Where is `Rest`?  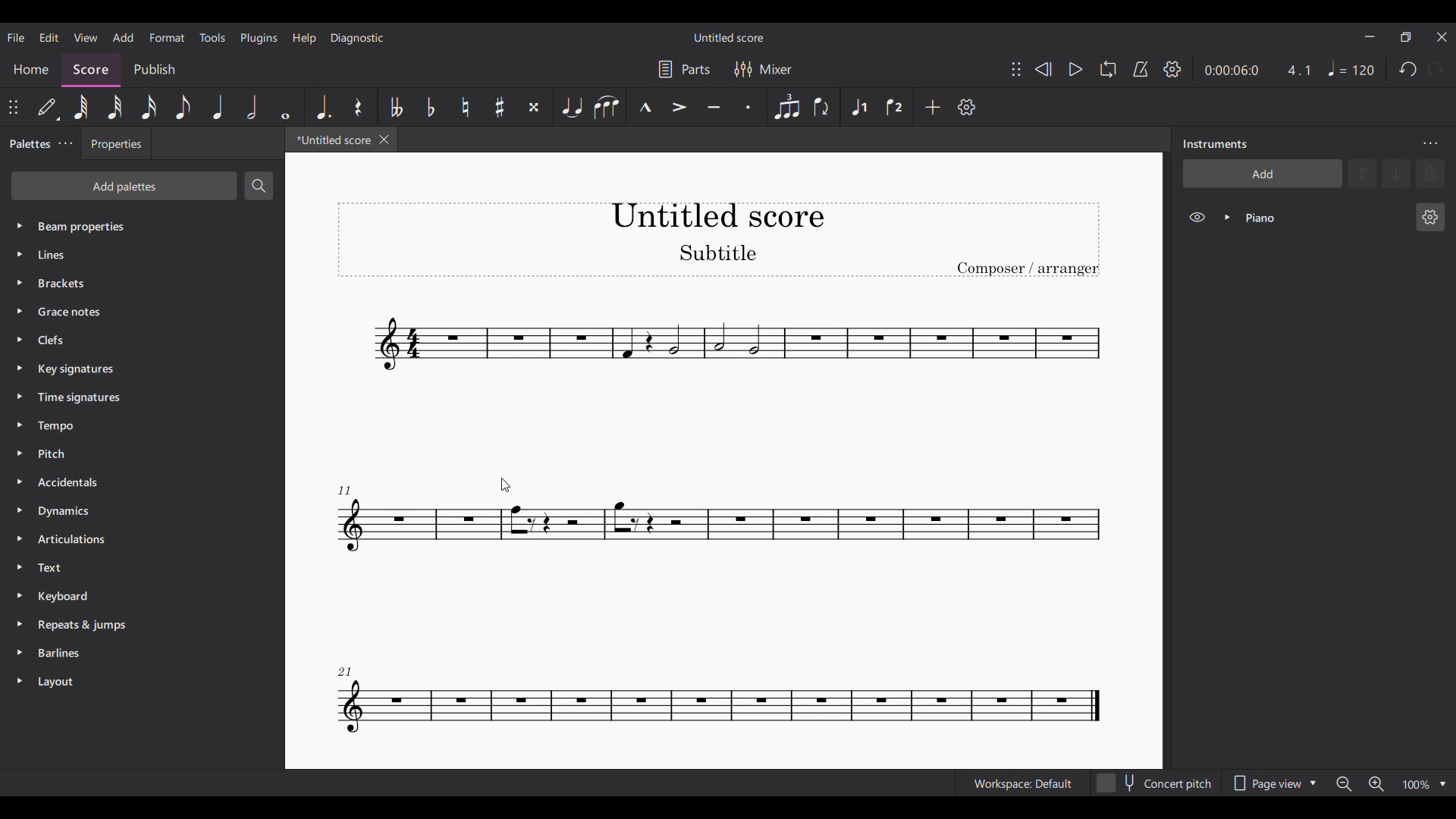 Rest is located at coordinates (358, 107).